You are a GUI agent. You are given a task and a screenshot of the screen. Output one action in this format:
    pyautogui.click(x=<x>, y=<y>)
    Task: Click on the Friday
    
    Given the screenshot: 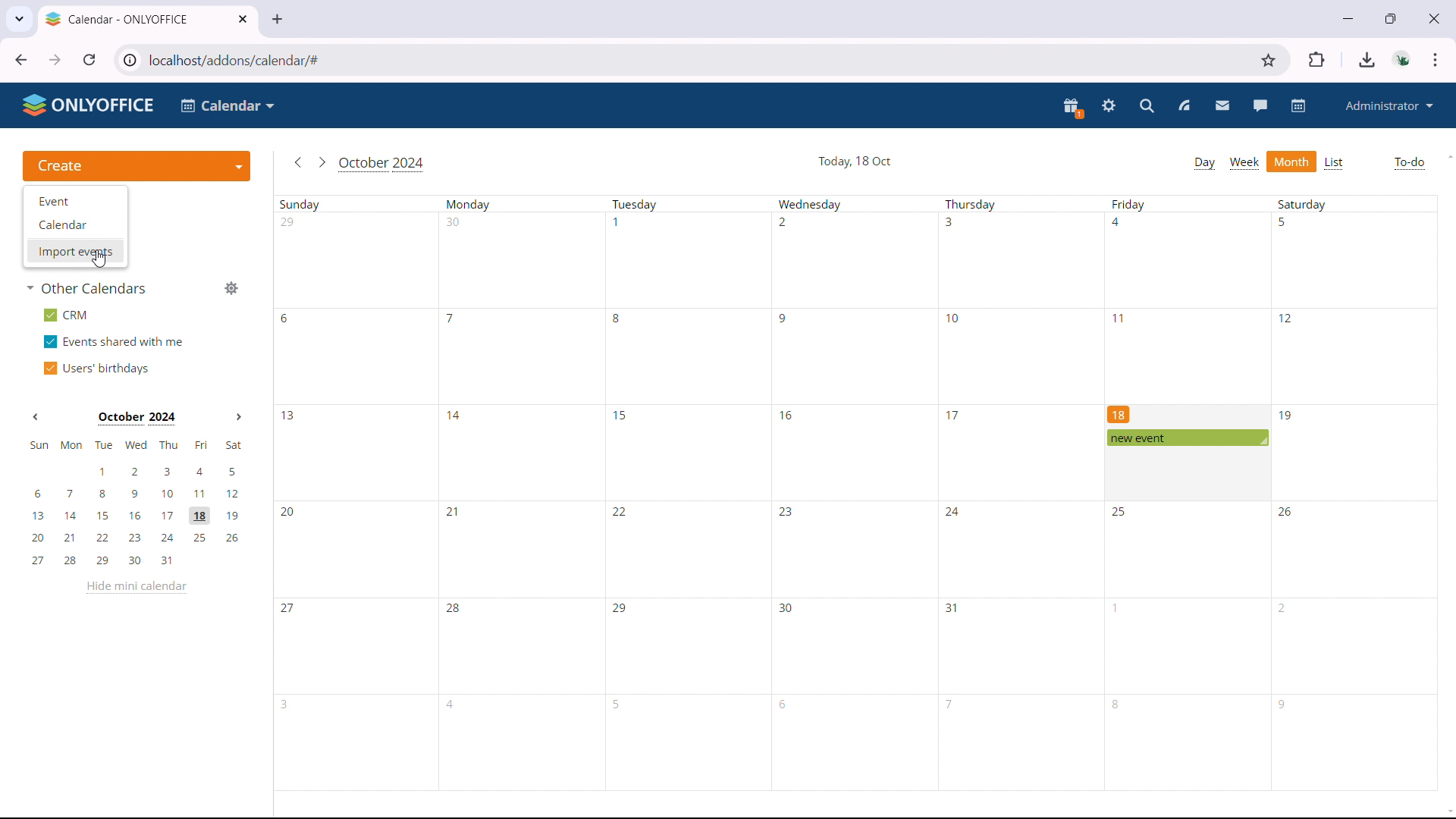 What is the action you would take?
    pyautogui.click(x=1129, y=205)
    